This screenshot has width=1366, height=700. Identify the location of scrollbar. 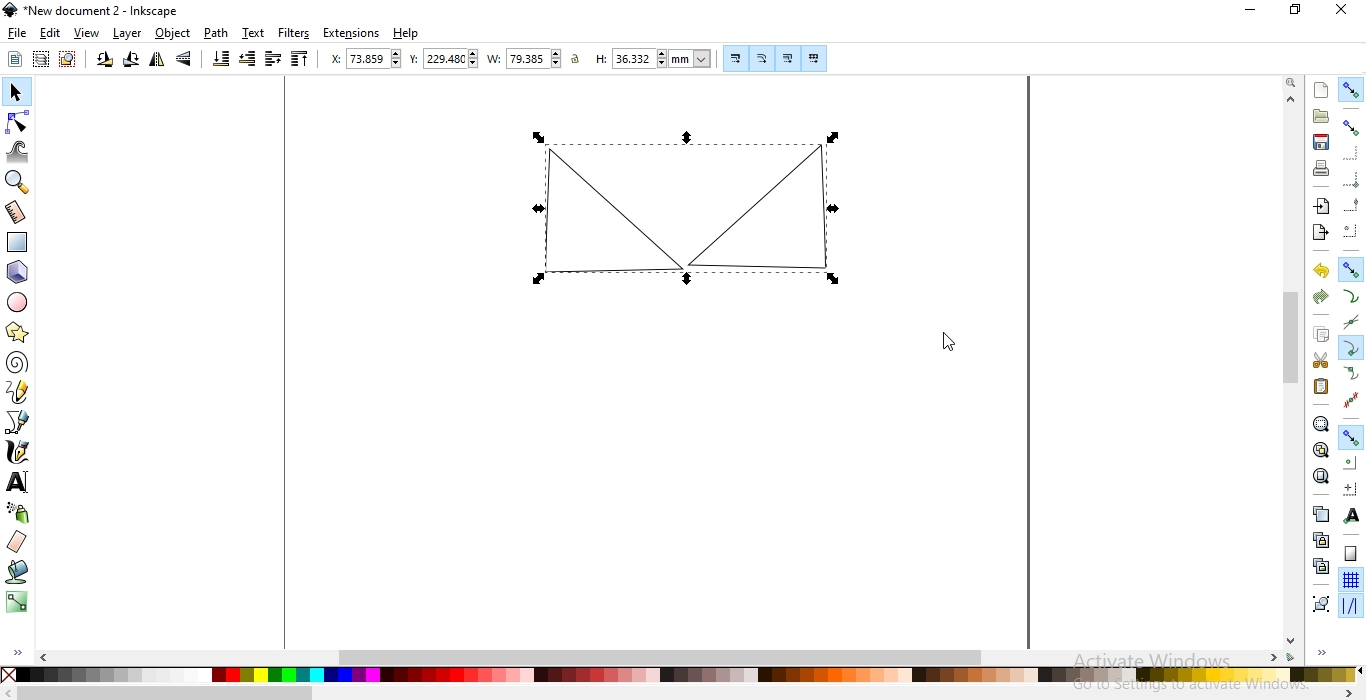
(672, 656).